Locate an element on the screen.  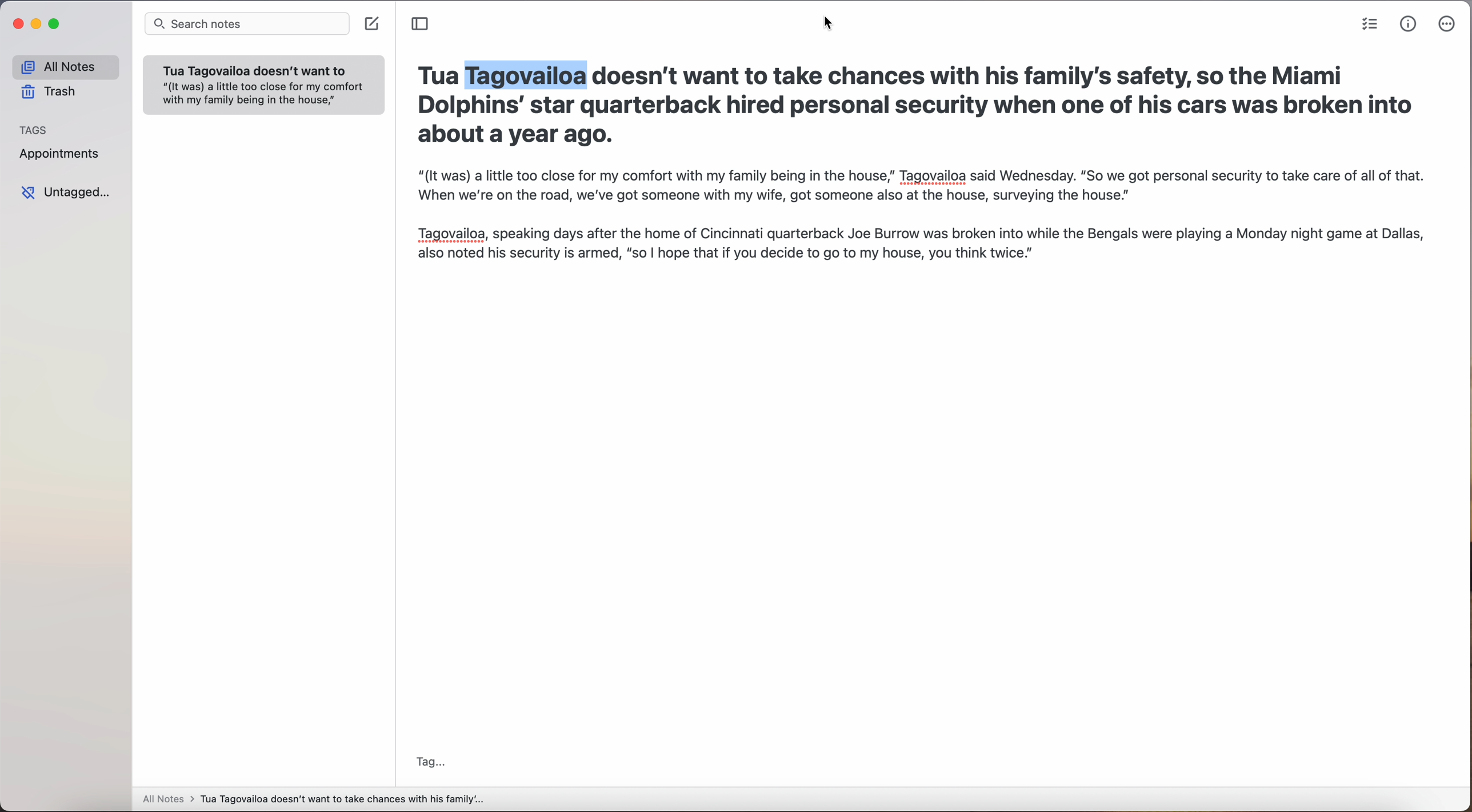
trash is located at coordinates (47, 91).